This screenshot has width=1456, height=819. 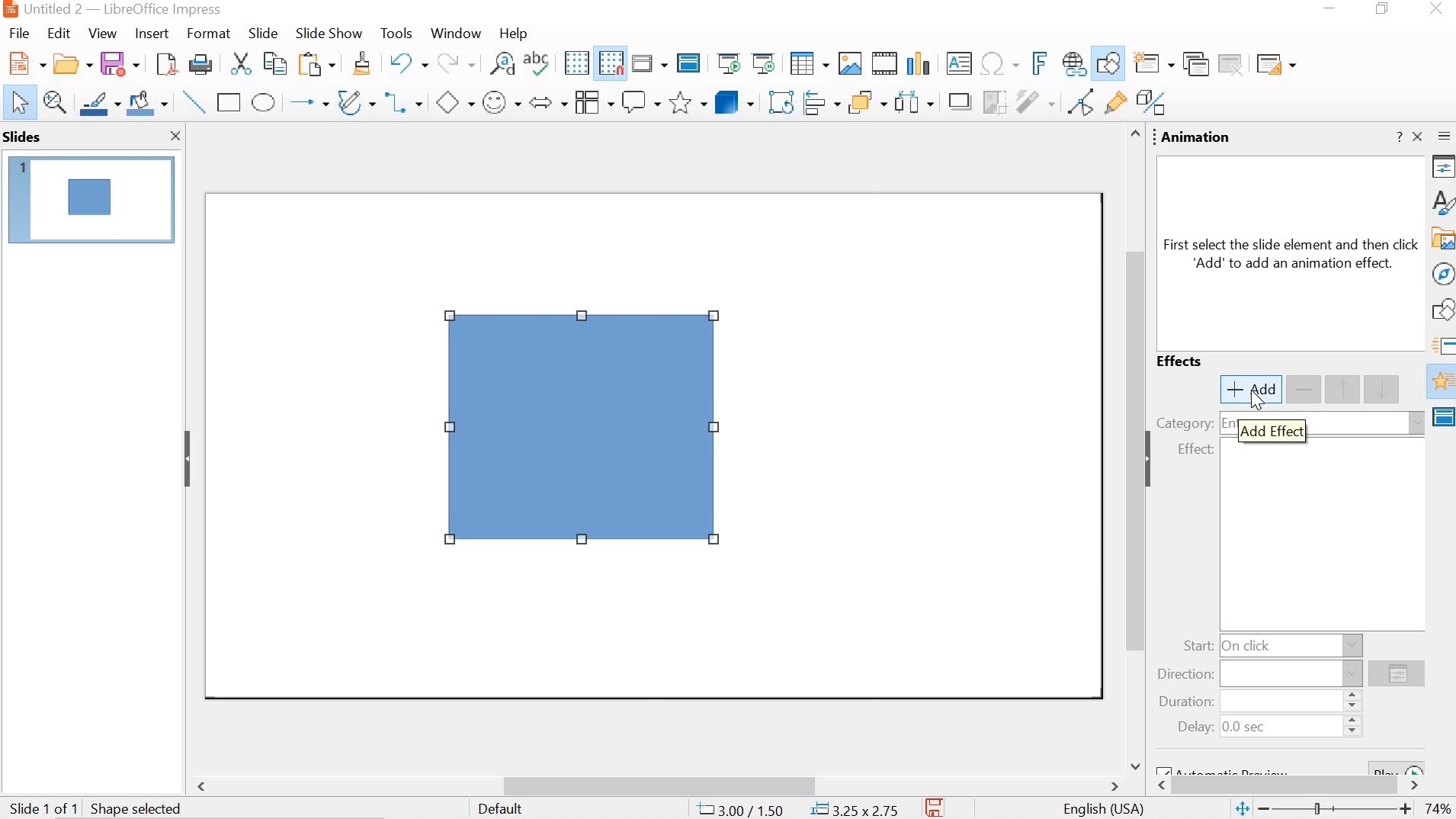 I want to click on gallery, so click(x=1442, y=237).